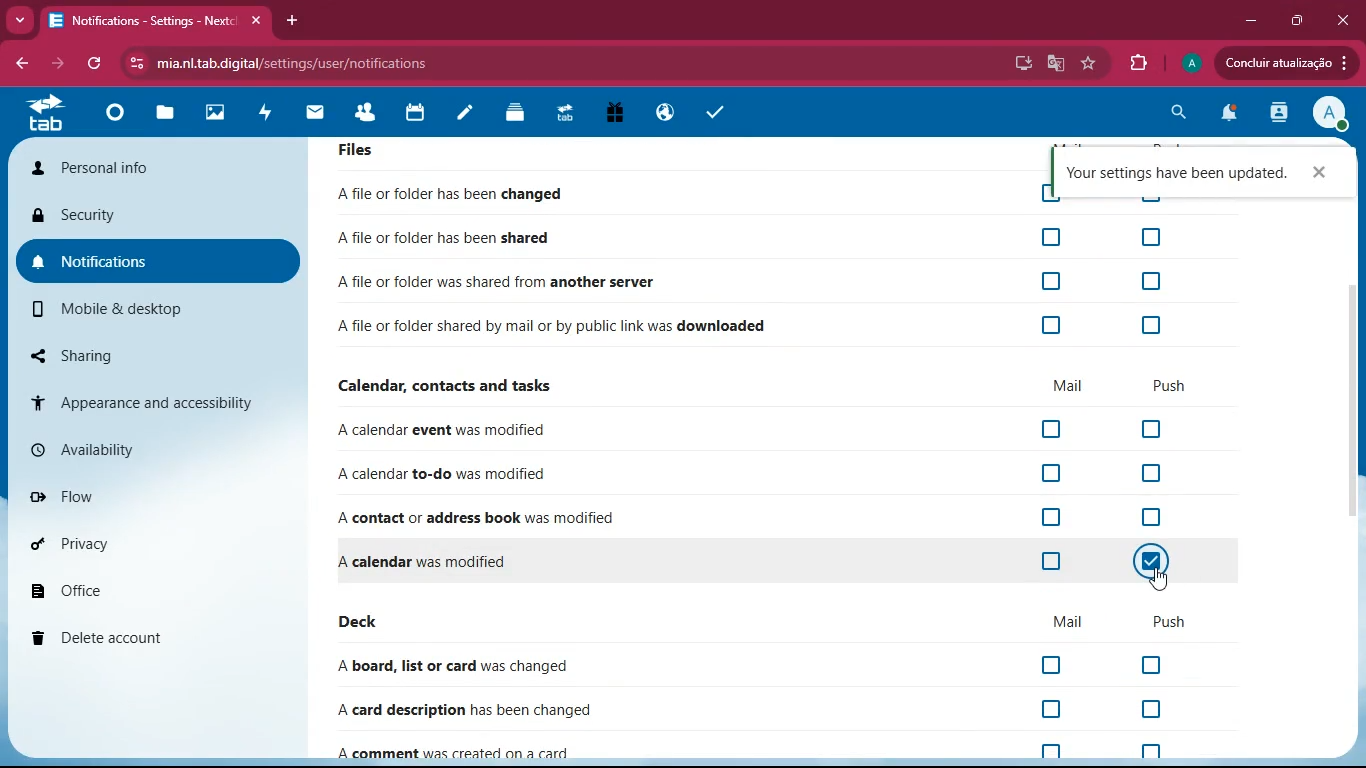 The image size is (1366, 768). I want to click on board, so click(467, 665).